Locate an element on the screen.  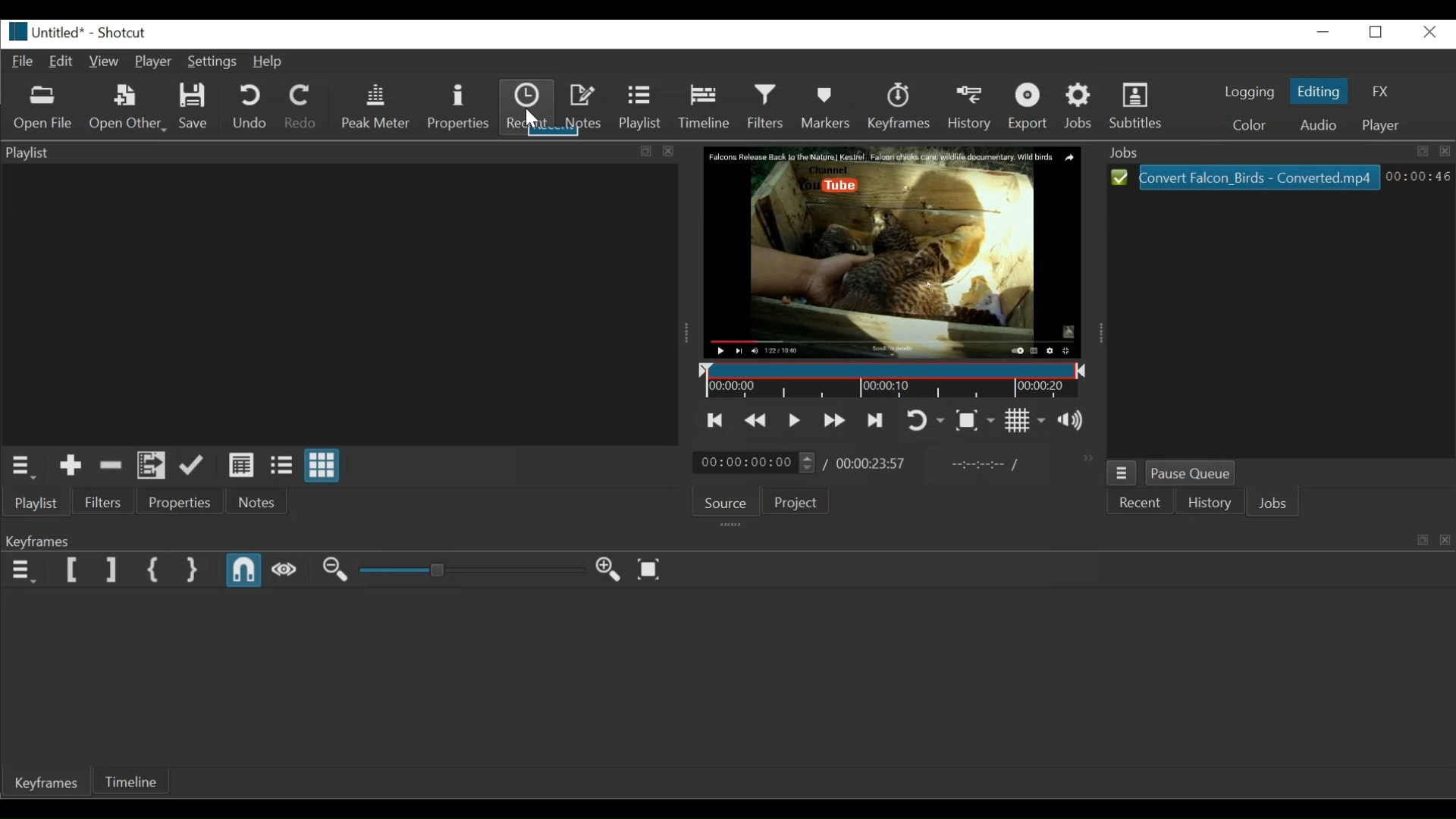
Keyframe menu is located at coordinates (25, 570).